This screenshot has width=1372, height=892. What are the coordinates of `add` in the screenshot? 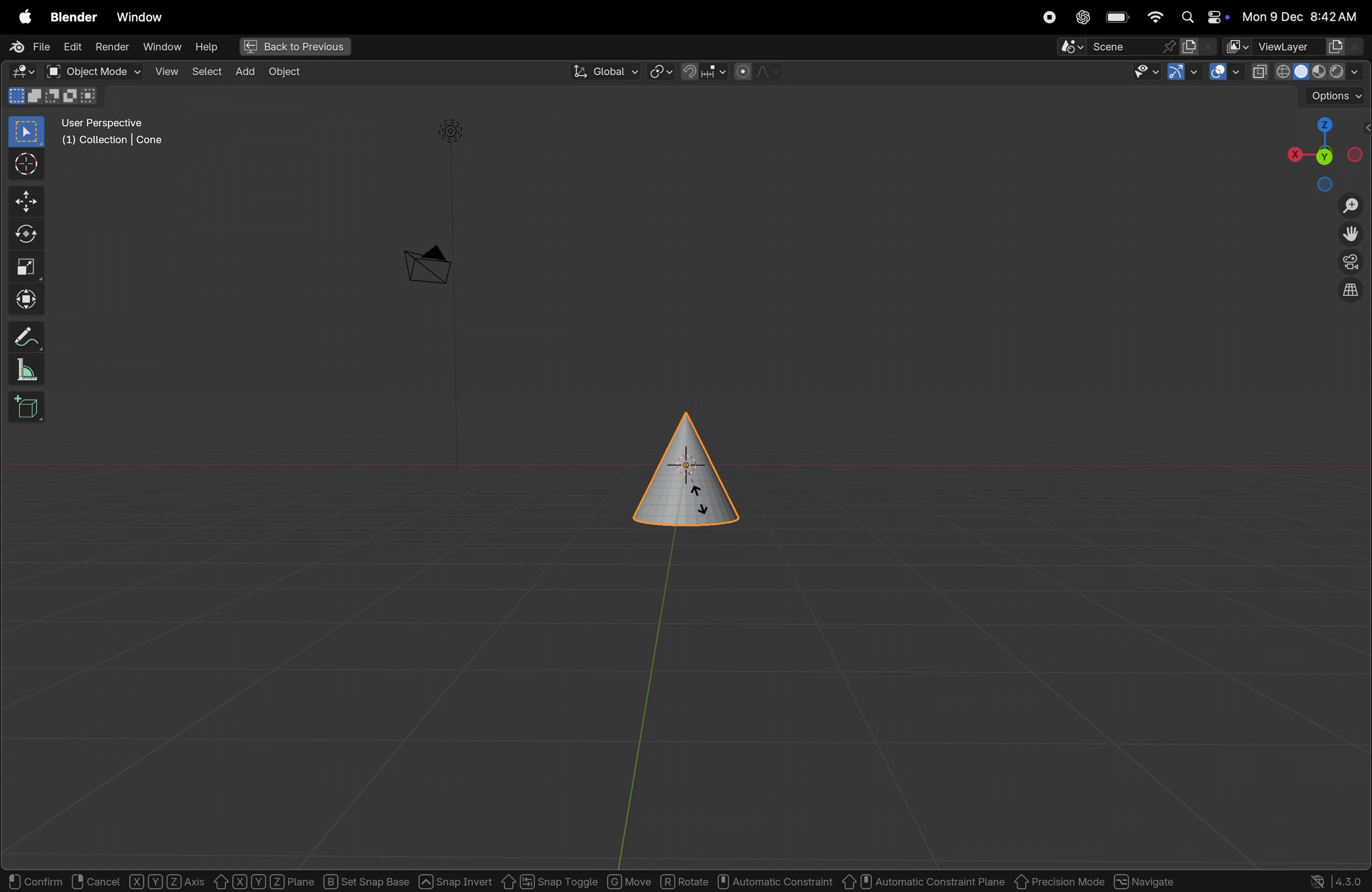 It's located at (246, 71).